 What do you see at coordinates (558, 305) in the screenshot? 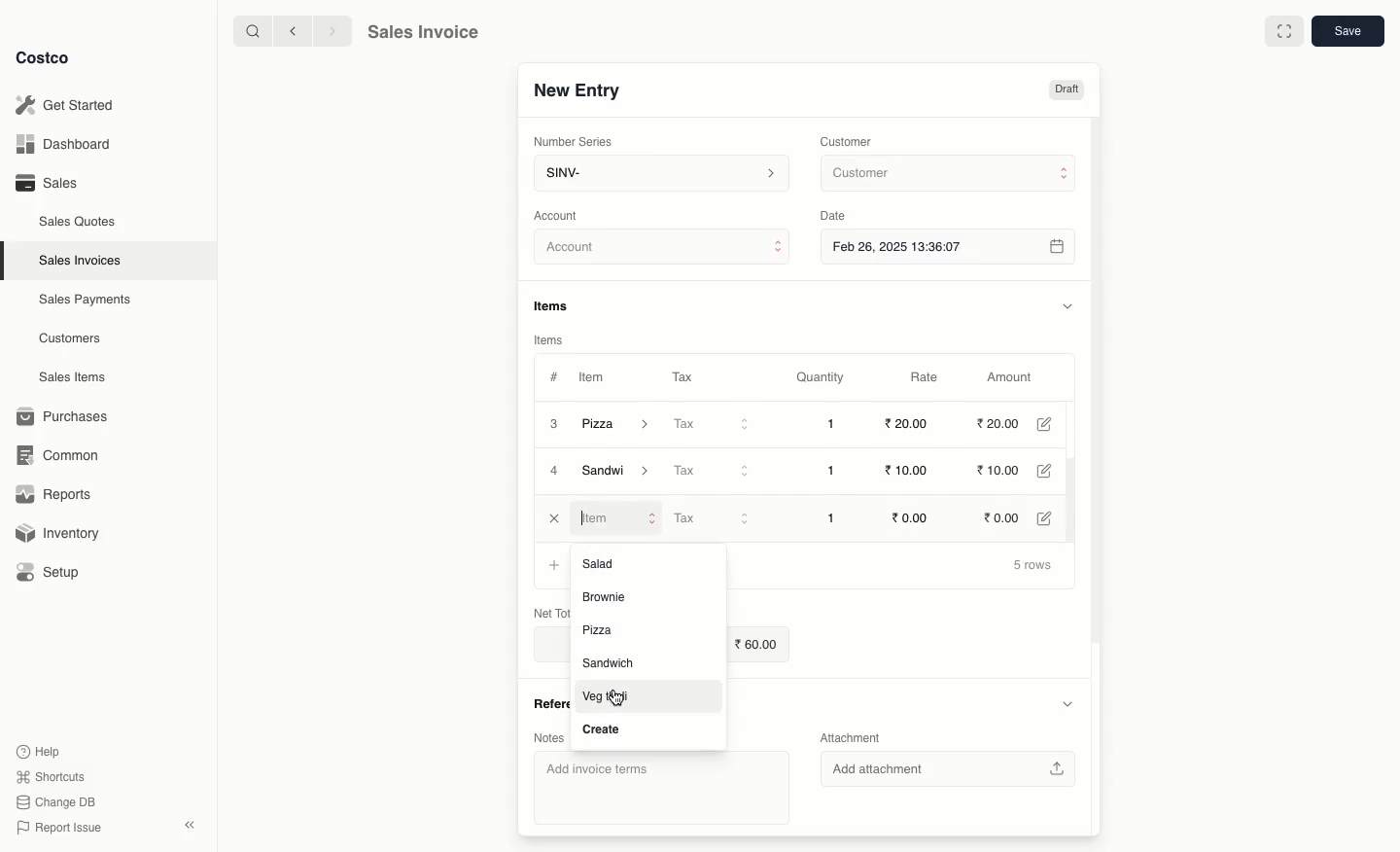
I see `Items` at bounding box center [558, 305].